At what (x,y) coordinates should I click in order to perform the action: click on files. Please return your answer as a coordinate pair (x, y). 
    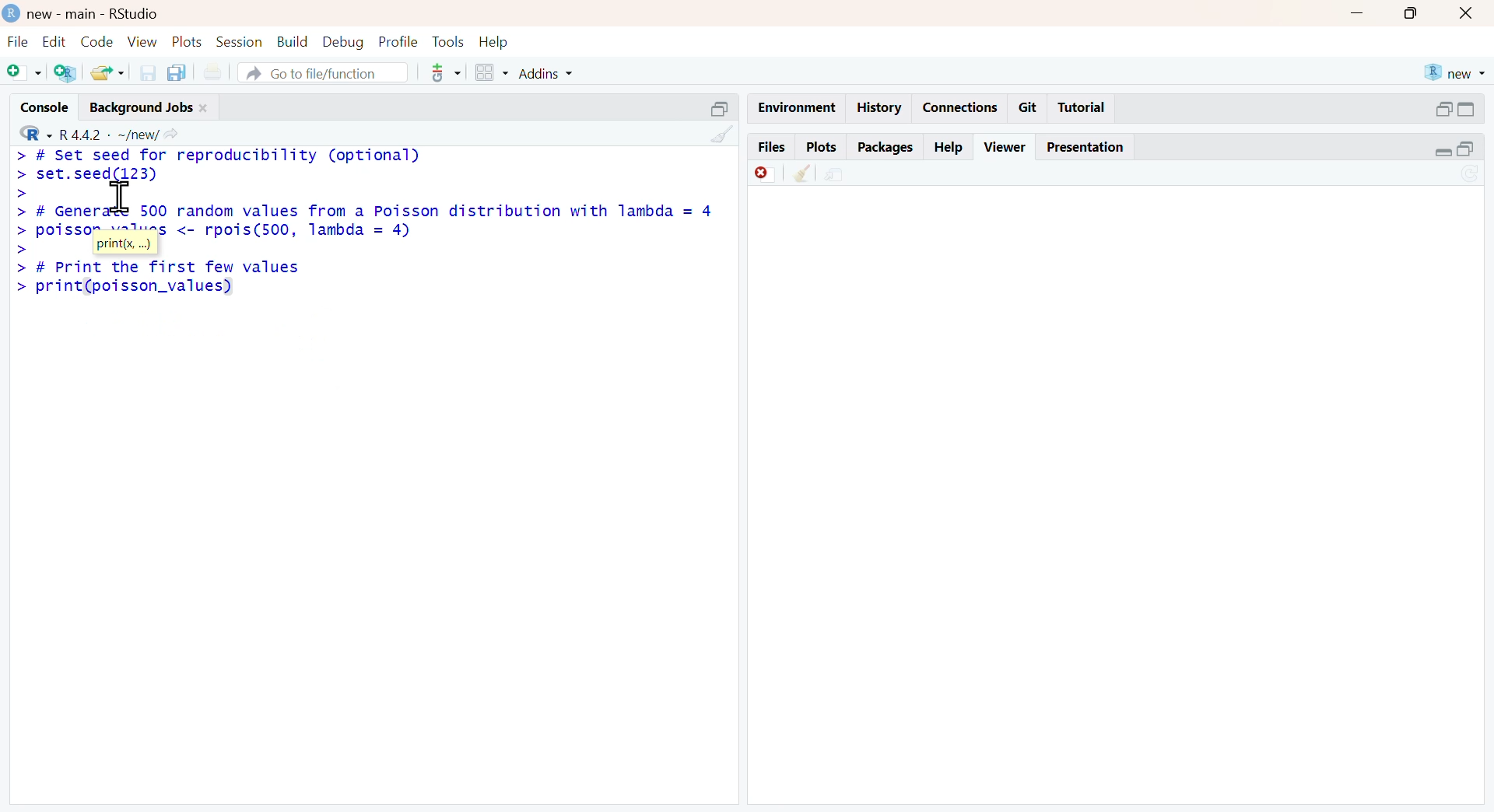
    Looking at the image, I should click on (773, 145).